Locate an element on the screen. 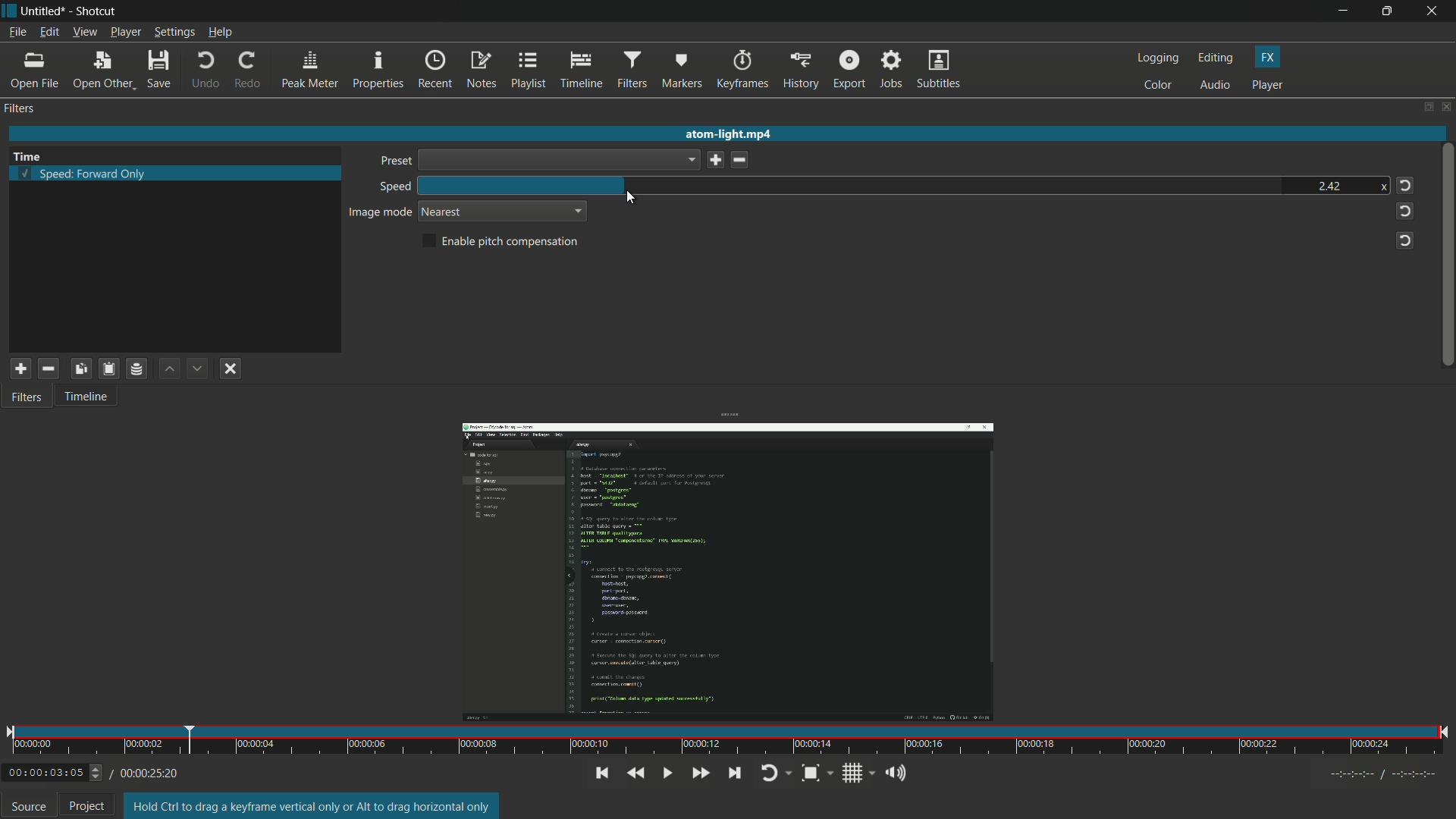 This screenshot has height=819, width=1456. filters is located at coordinates (21, 108).